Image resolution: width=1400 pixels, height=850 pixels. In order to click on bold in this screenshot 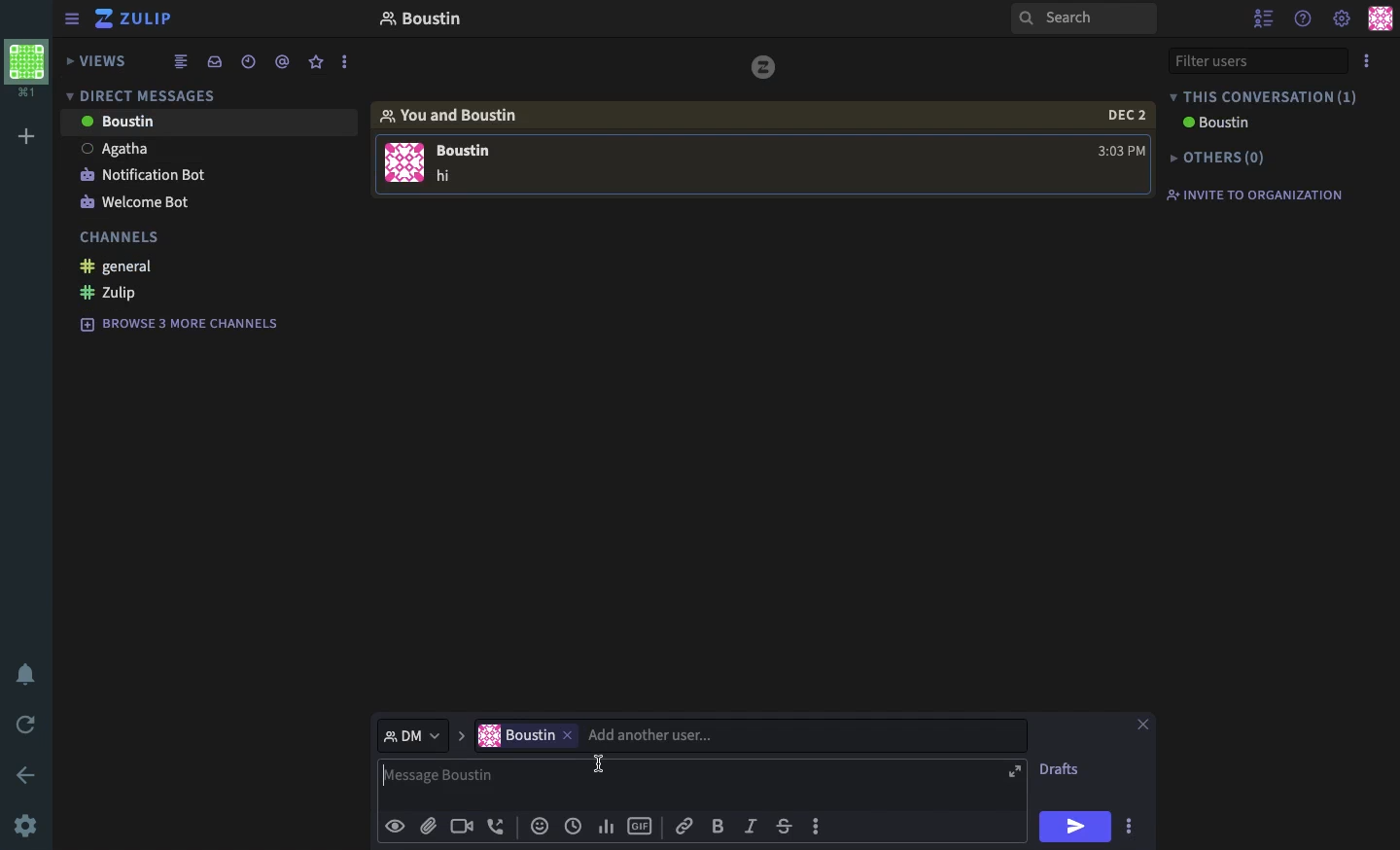, I will do `click(719, 826)`.